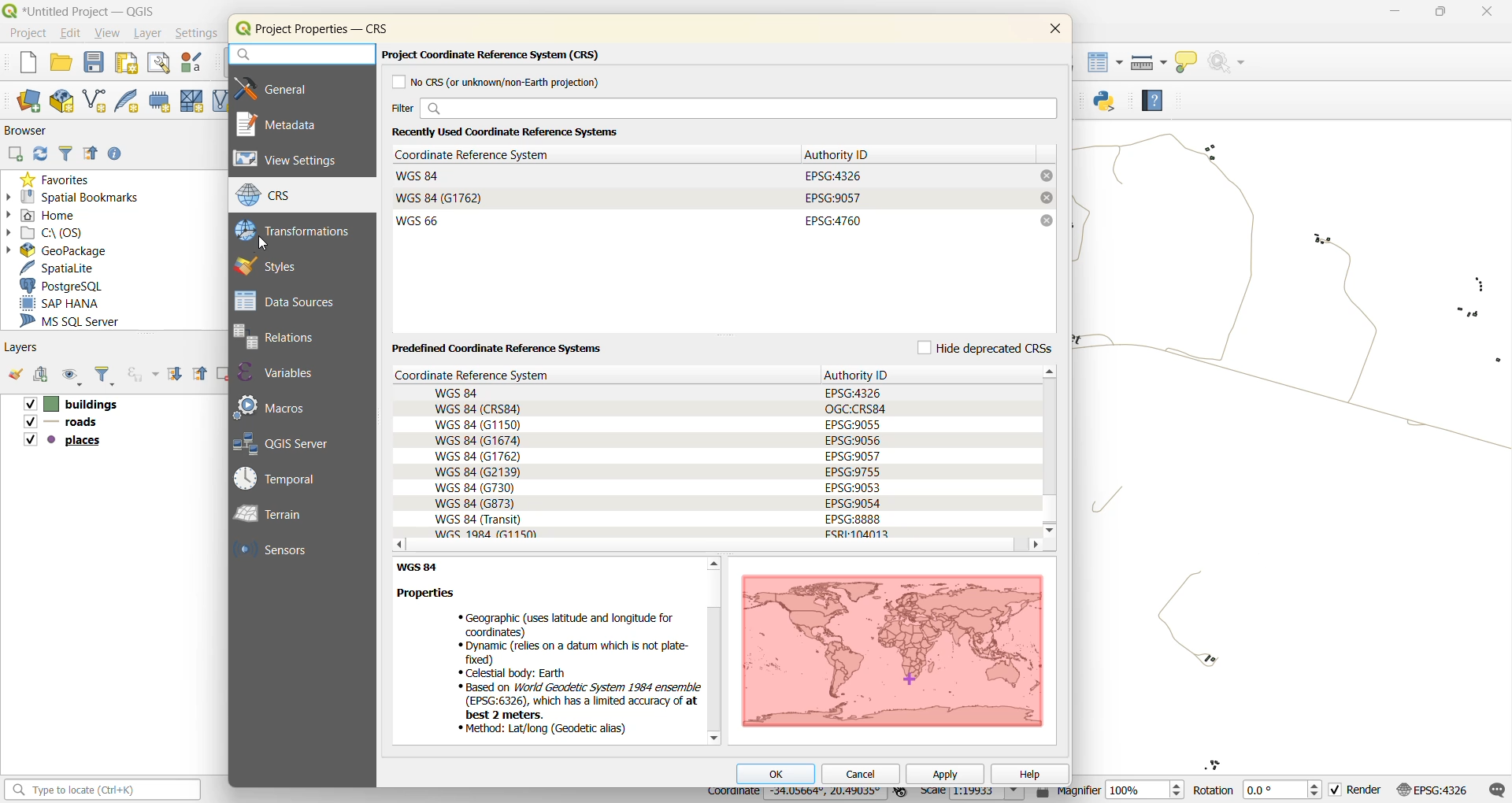 This screenshot has width=1512, height=803. Describe the element at coordinates (241, 30) in the screenshot. I see `logo` at that location.